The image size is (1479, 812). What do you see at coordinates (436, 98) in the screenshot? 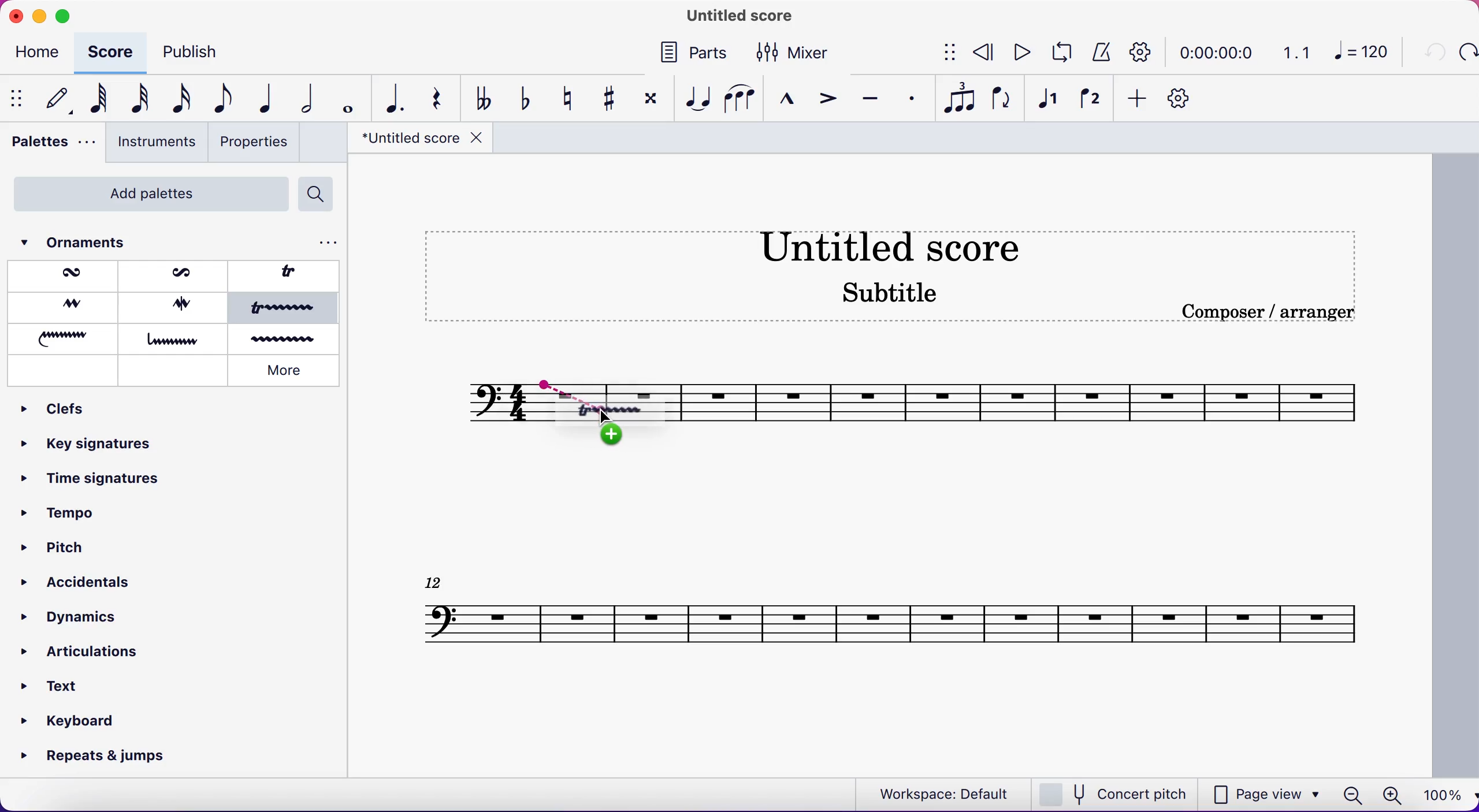
I see `rest` at bounding box center [436, 98].